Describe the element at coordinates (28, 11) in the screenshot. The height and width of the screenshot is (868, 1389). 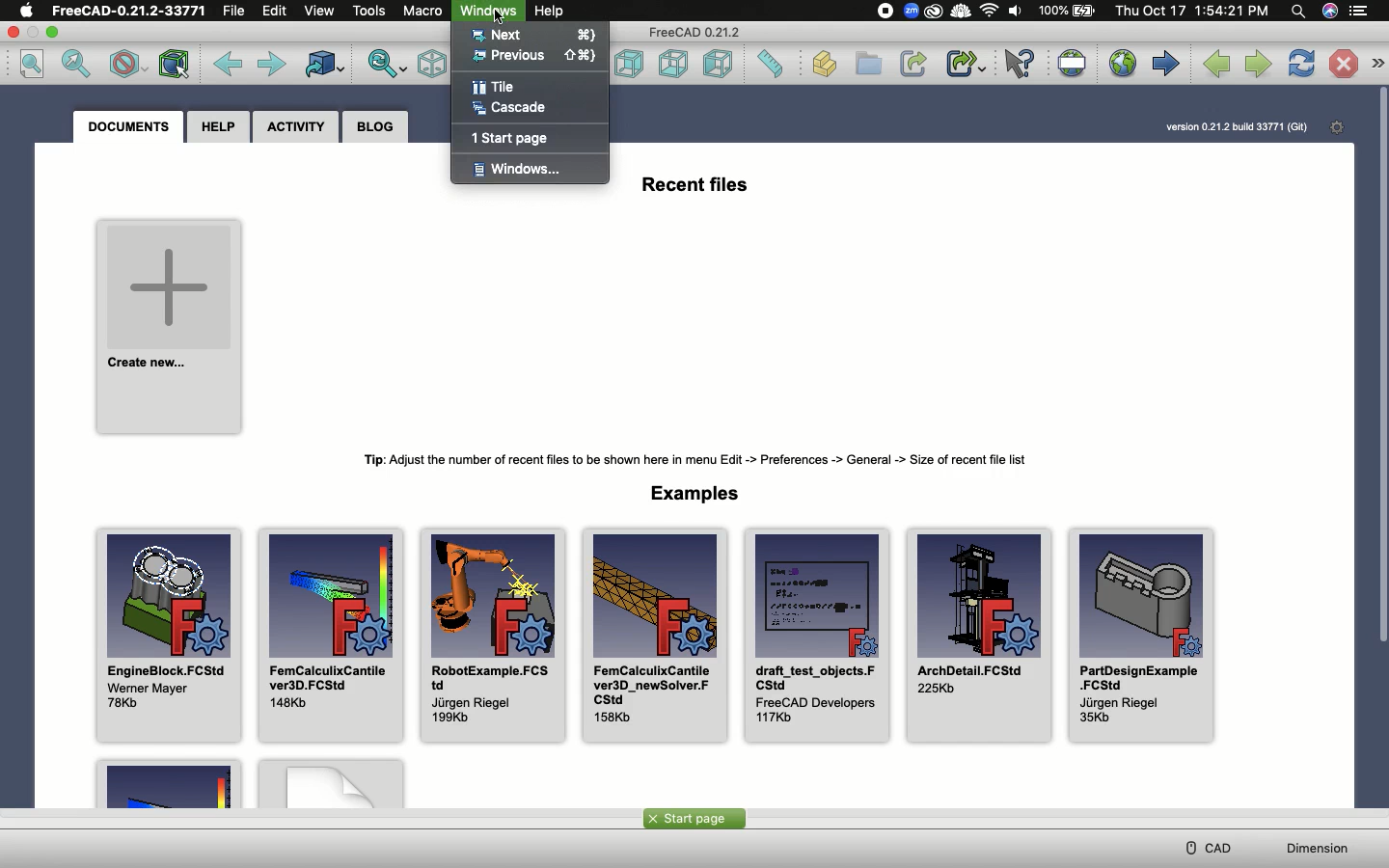
I see `Apple logo` at that location.